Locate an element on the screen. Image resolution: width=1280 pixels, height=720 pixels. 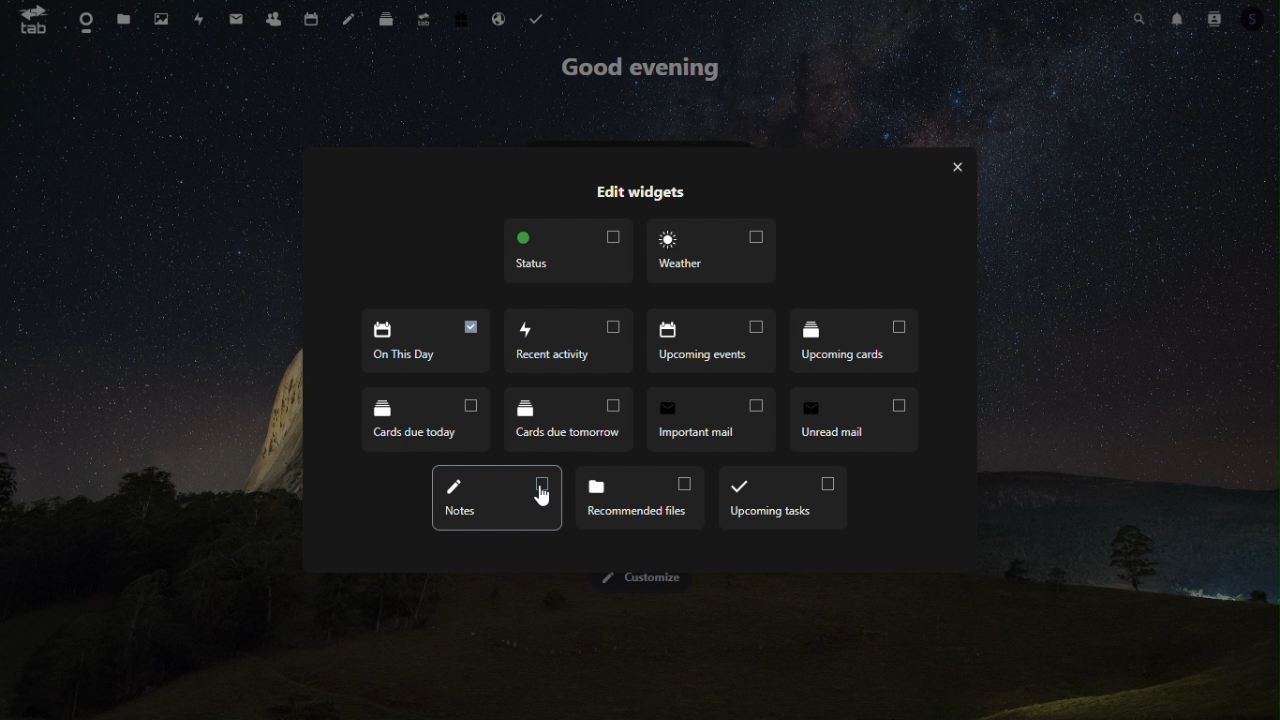
Upcoming events is located at coordinates (567, 341).